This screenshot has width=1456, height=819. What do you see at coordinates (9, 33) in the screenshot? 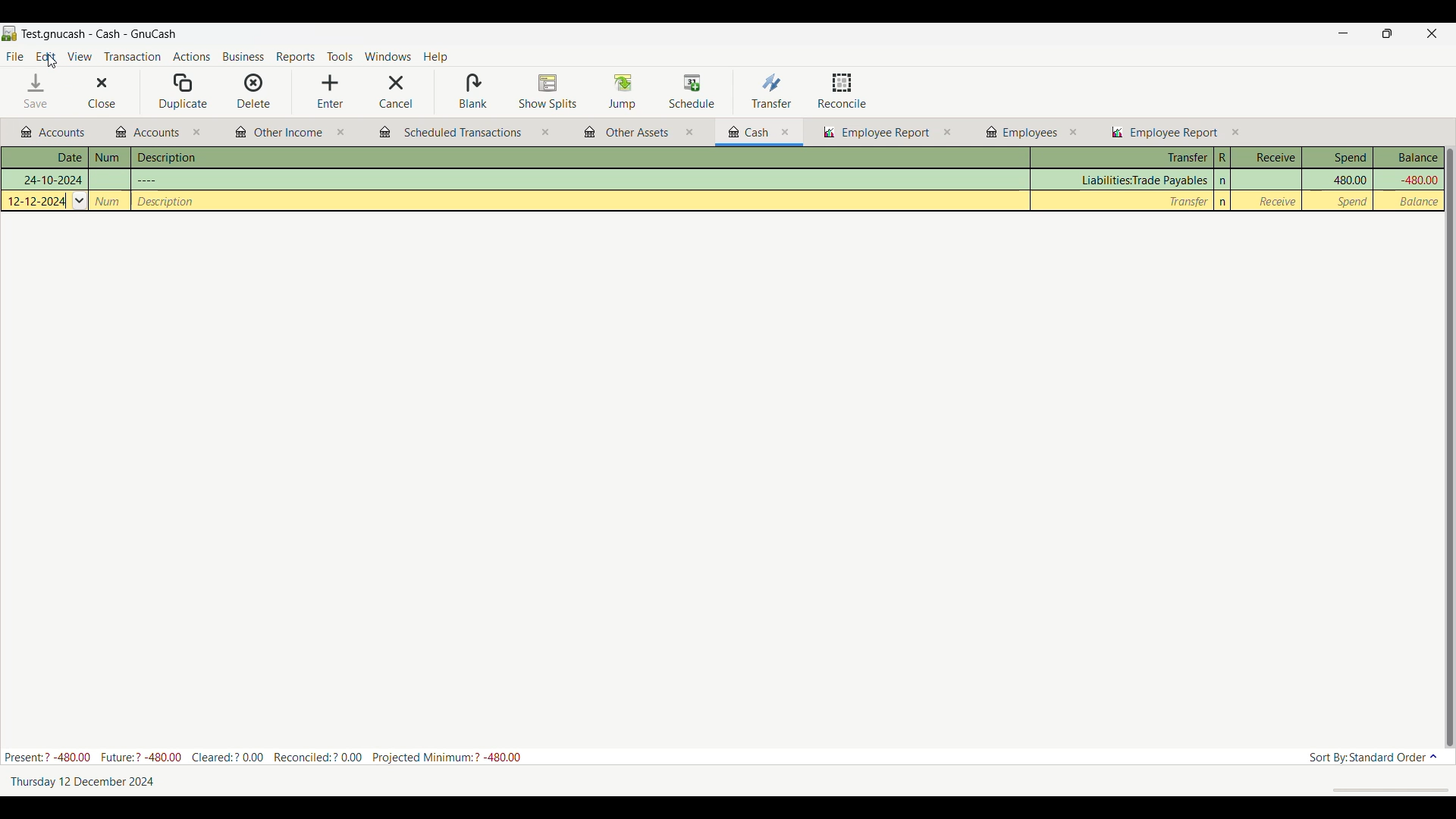
I see `Software logo` at bounding box center [9, 33].